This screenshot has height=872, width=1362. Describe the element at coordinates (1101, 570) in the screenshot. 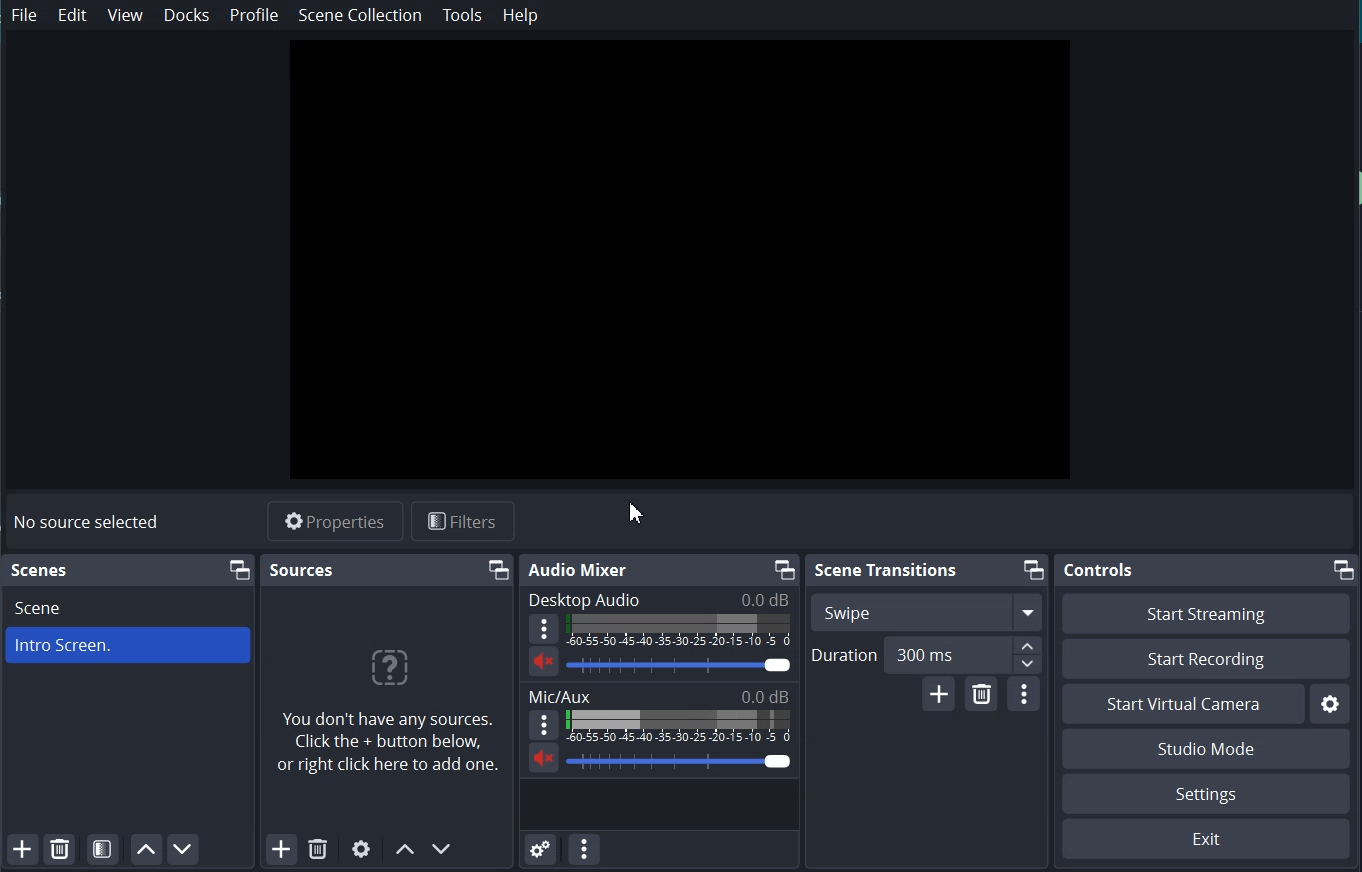

I see `Controls` at that location.